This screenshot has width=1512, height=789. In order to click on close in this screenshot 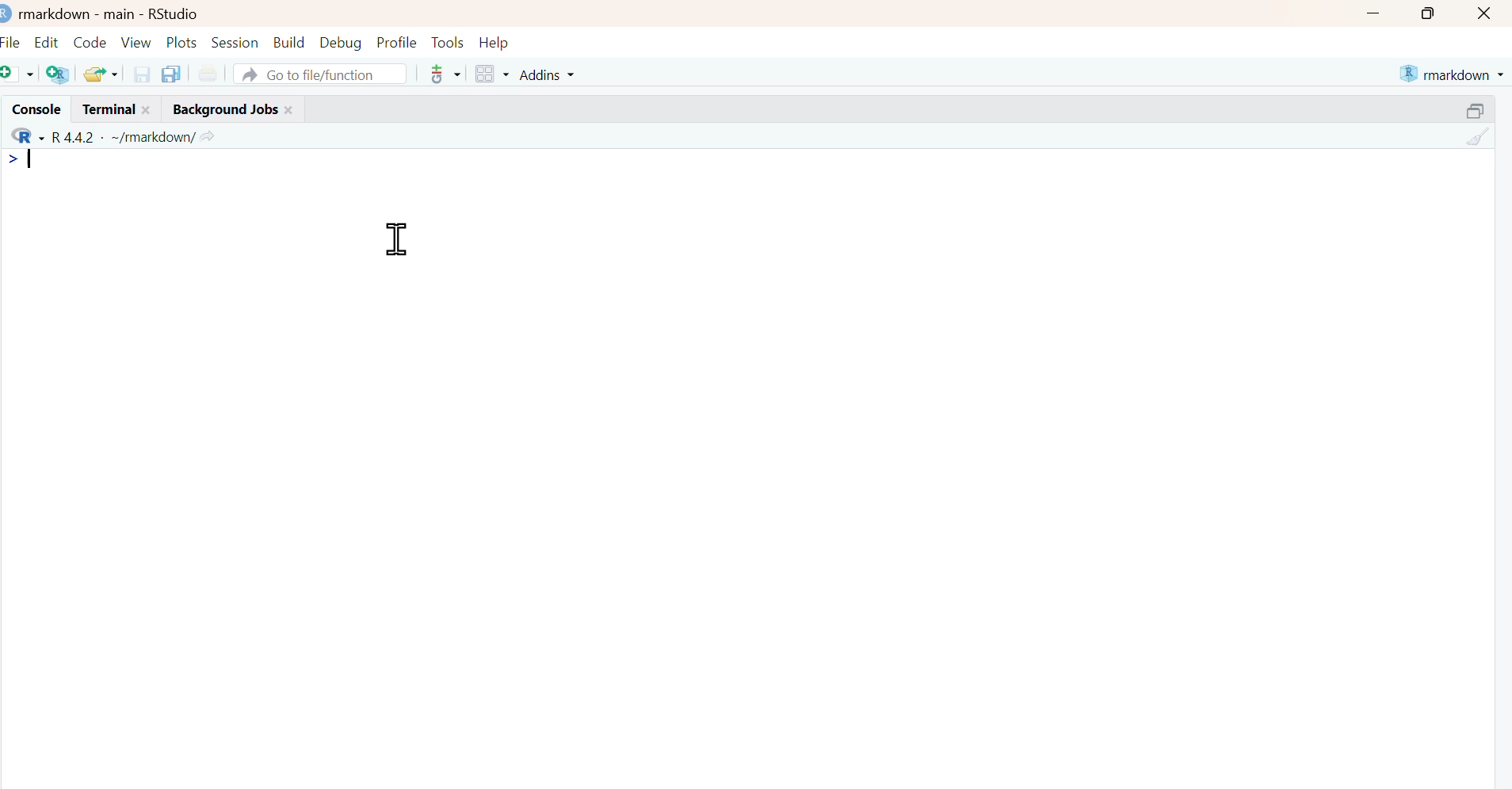, I will do `click(1487, 13)`.